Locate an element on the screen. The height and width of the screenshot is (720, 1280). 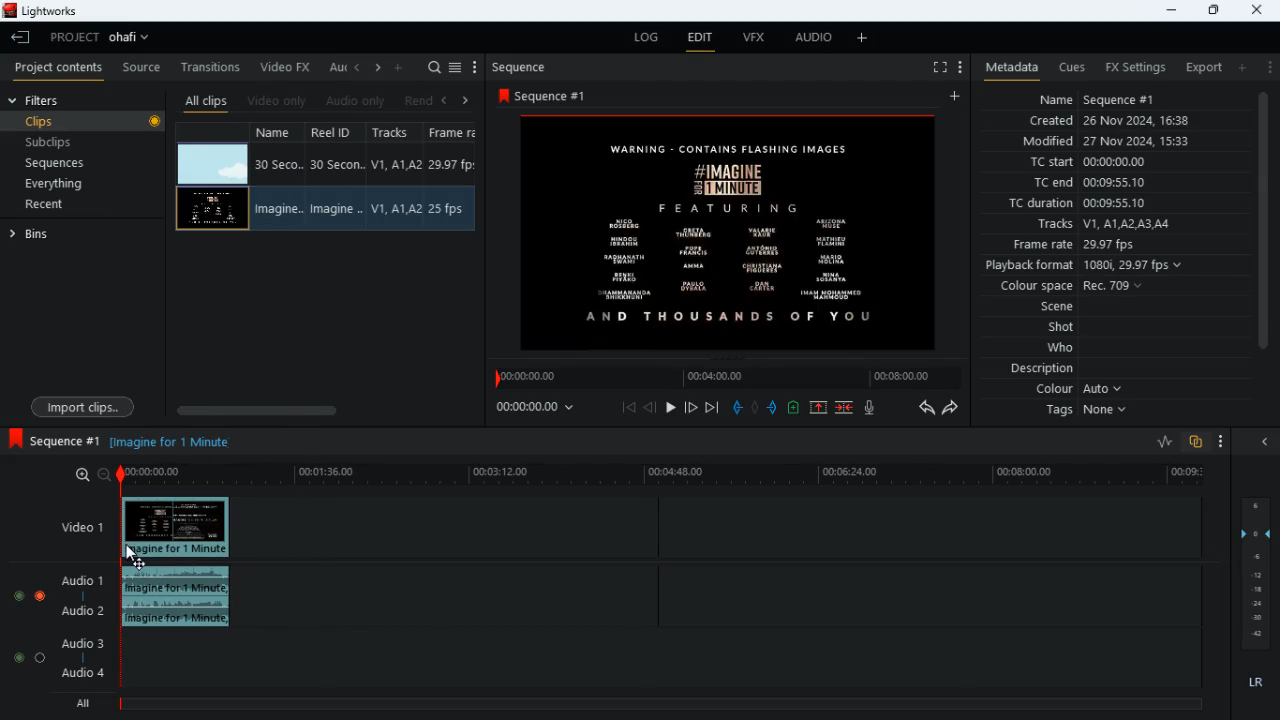
add is located at coordinates (1247, 68).